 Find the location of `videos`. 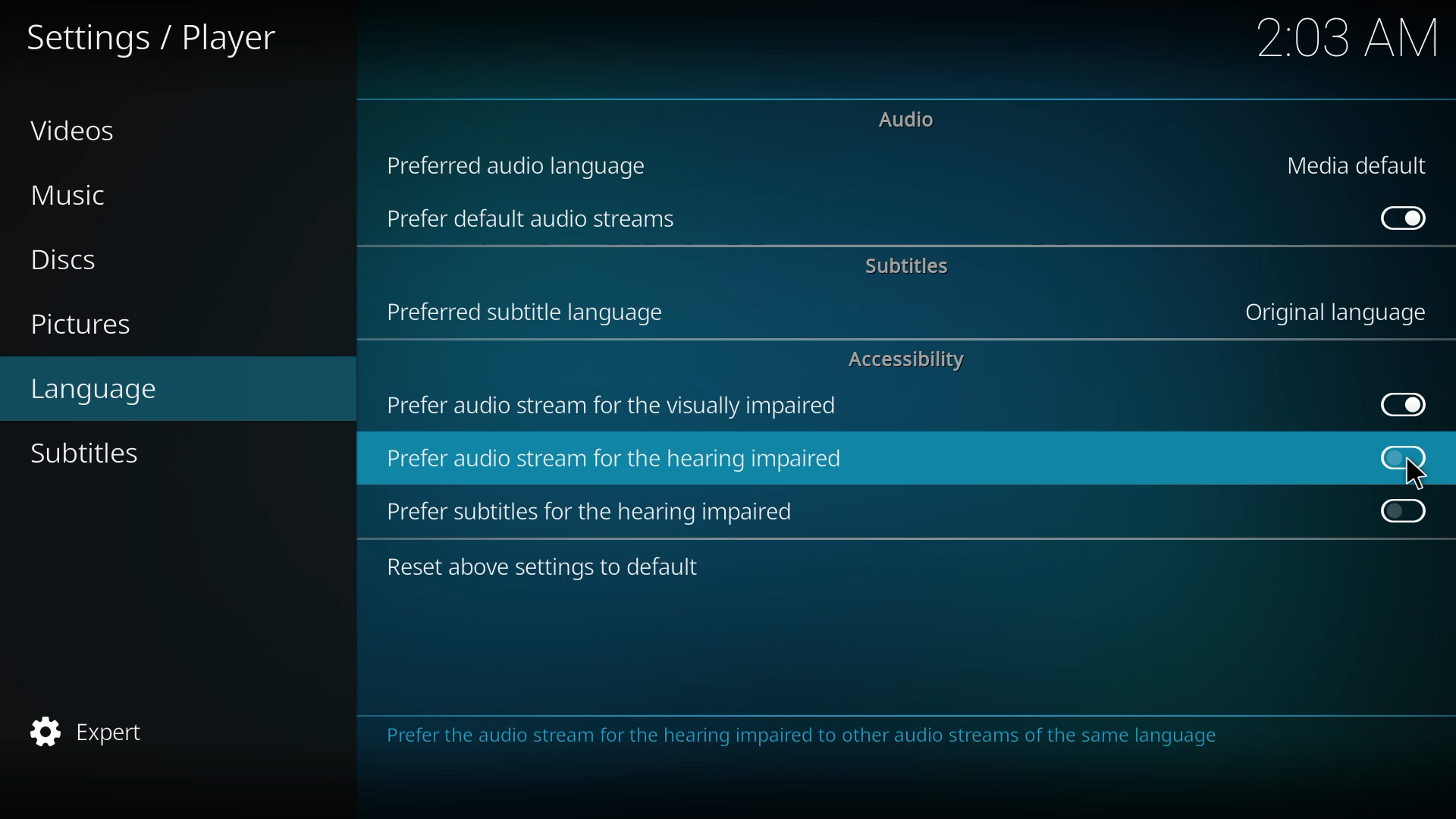

videos is located at coordinates (76, 131).